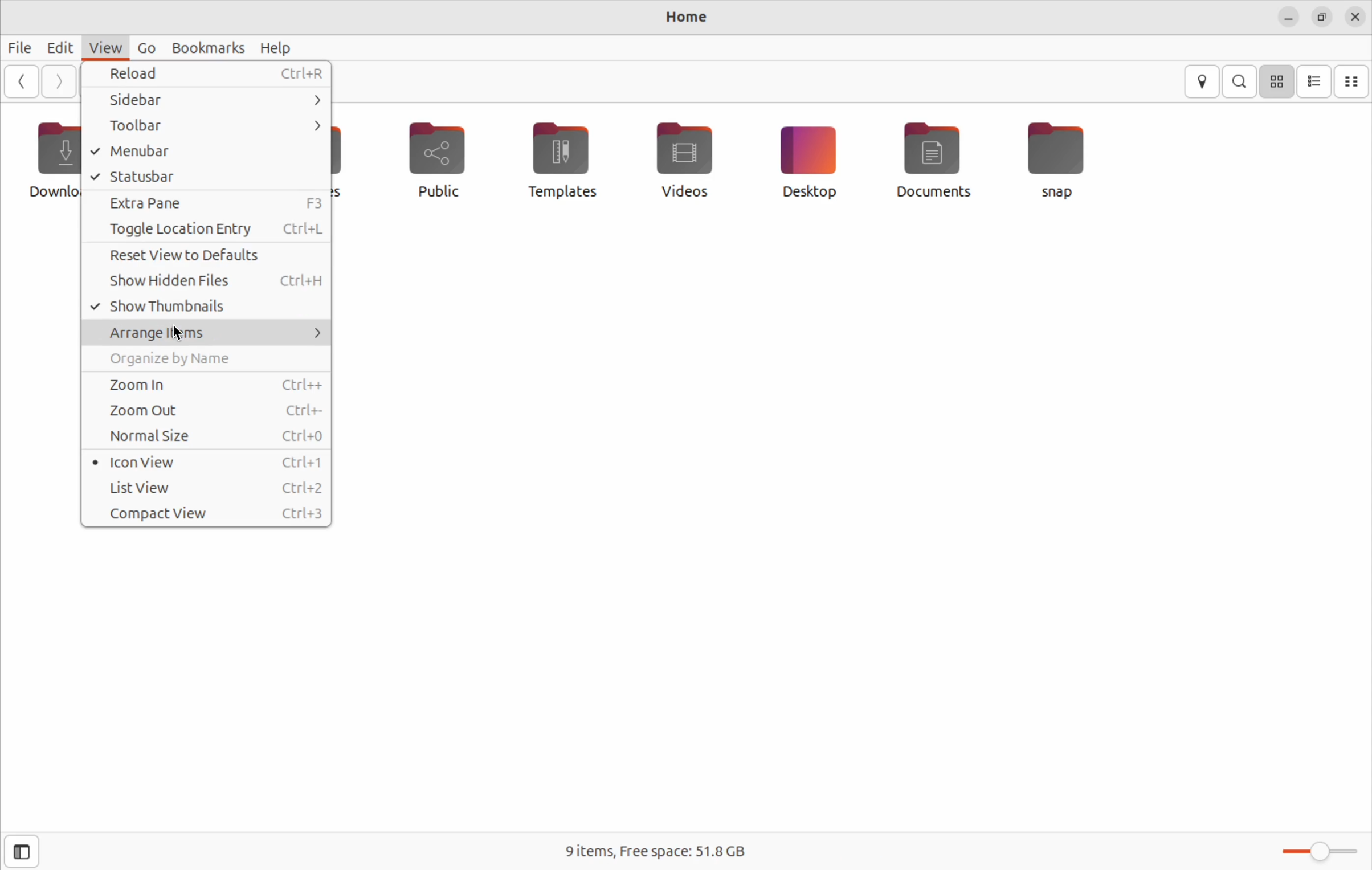 The width and height of the screenshot is (1372, 870). I want to click on compact view, so click(1353, 81).